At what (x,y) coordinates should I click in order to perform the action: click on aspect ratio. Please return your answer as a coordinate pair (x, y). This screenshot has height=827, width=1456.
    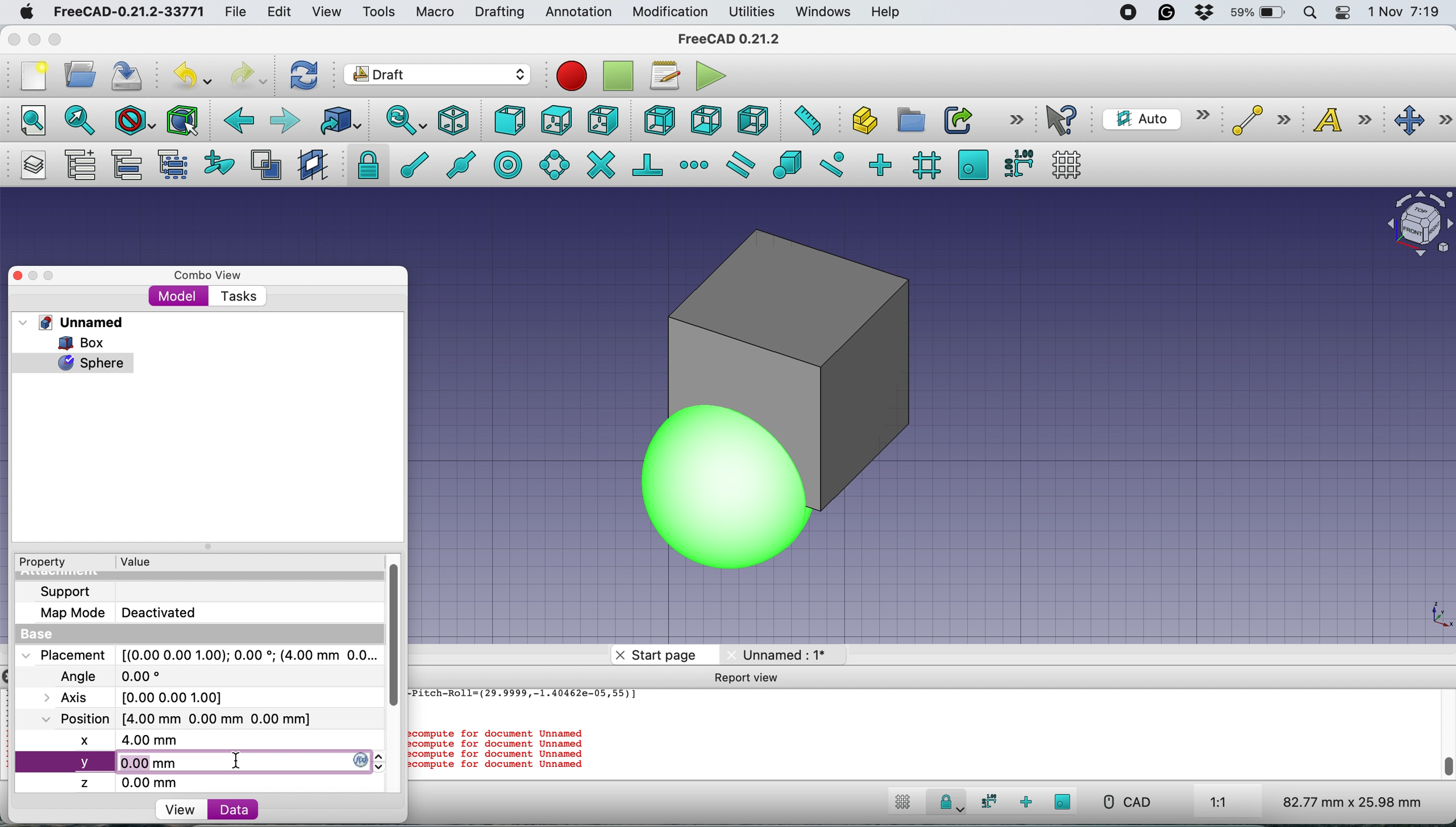
    Looking at the image, I should click on (1219, 803).